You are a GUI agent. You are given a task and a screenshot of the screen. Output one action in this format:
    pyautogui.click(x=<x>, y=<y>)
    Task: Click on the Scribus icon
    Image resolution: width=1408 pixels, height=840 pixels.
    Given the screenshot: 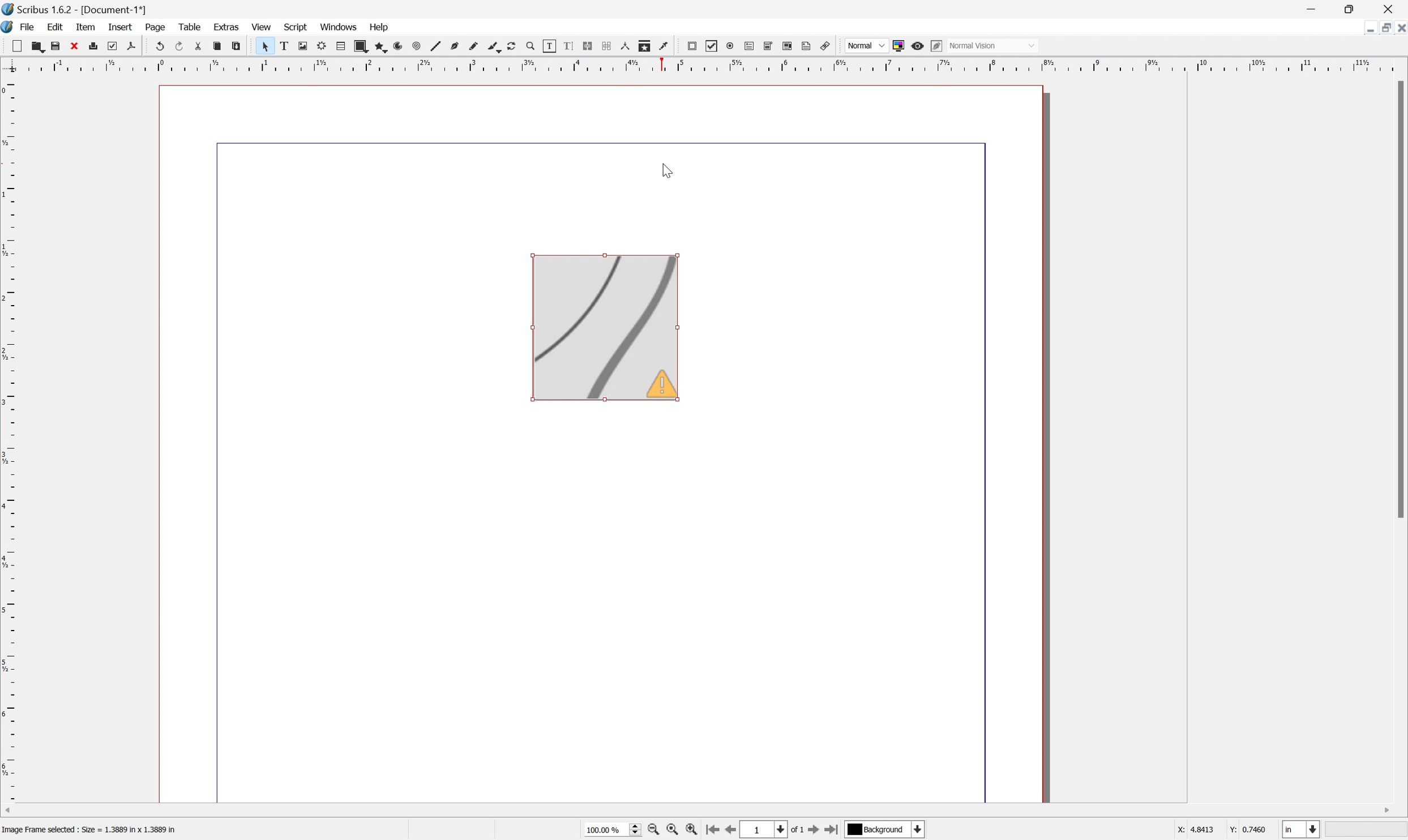 What is the action you would take?
    pyautogui.click(x=9, y=27)
    